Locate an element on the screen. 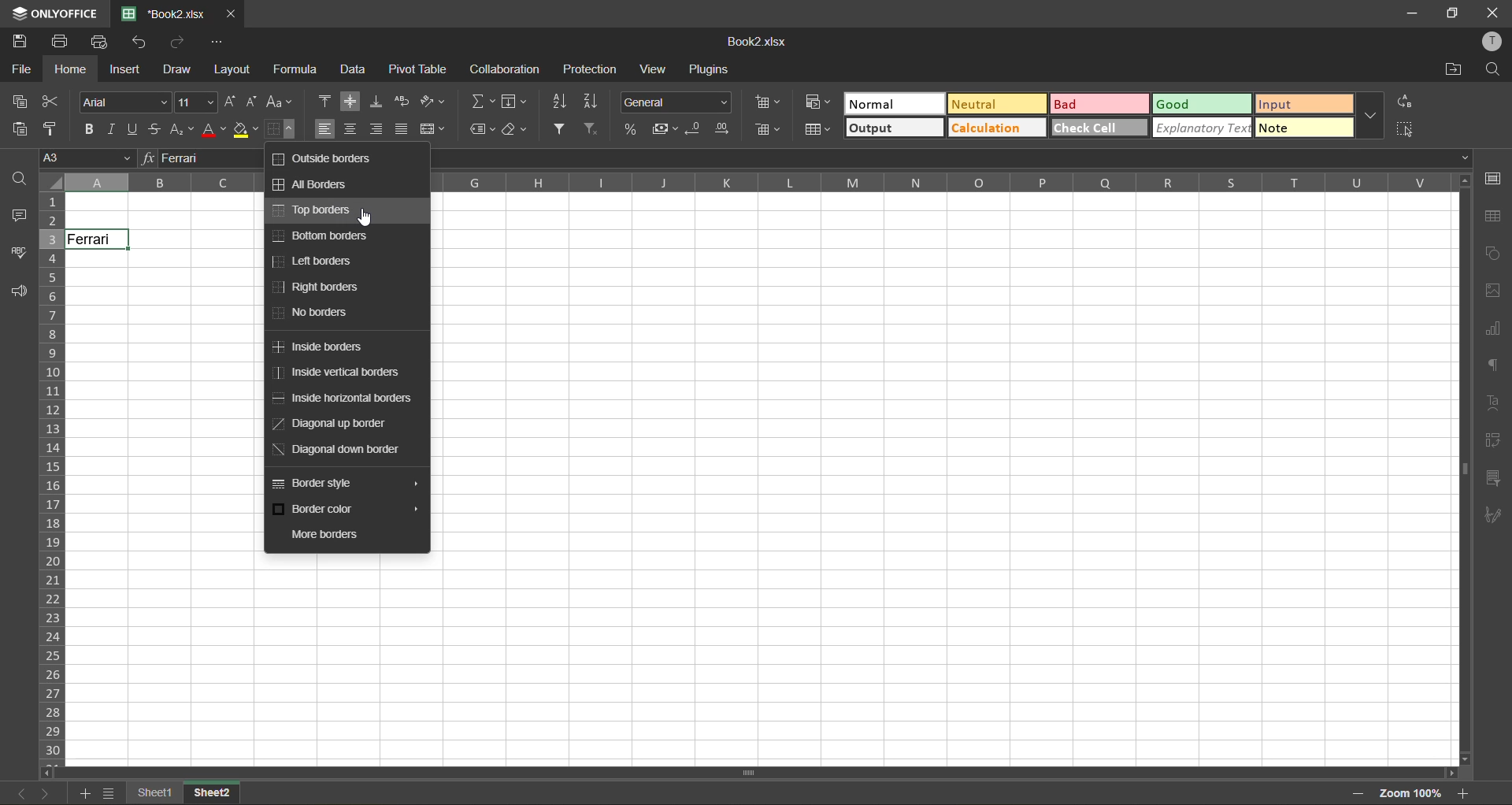  sort descending is located at coordinates (593, 101).